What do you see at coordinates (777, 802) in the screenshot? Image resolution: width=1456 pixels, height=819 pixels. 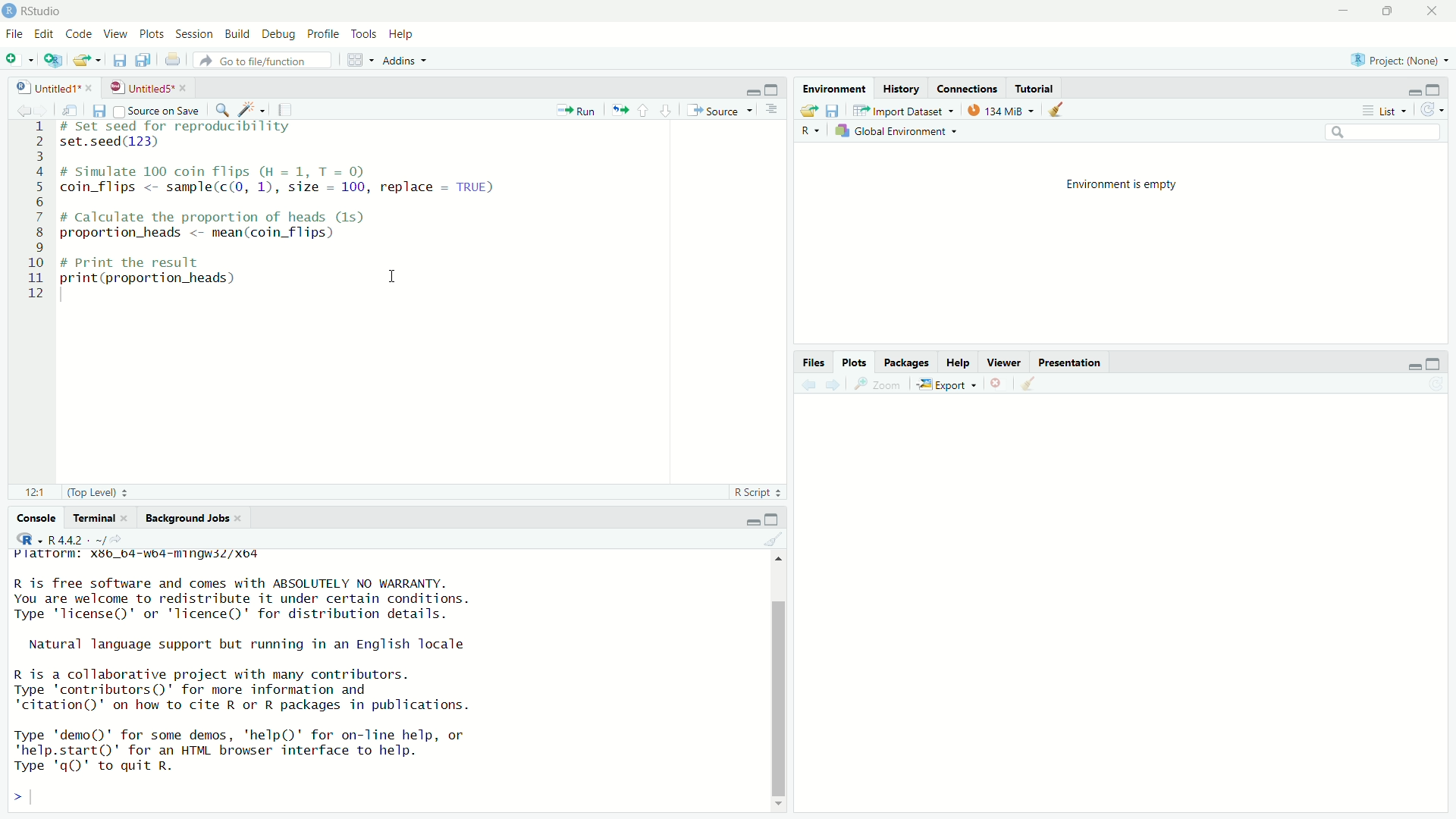 I see `move down` at bounding box center [777, 802].